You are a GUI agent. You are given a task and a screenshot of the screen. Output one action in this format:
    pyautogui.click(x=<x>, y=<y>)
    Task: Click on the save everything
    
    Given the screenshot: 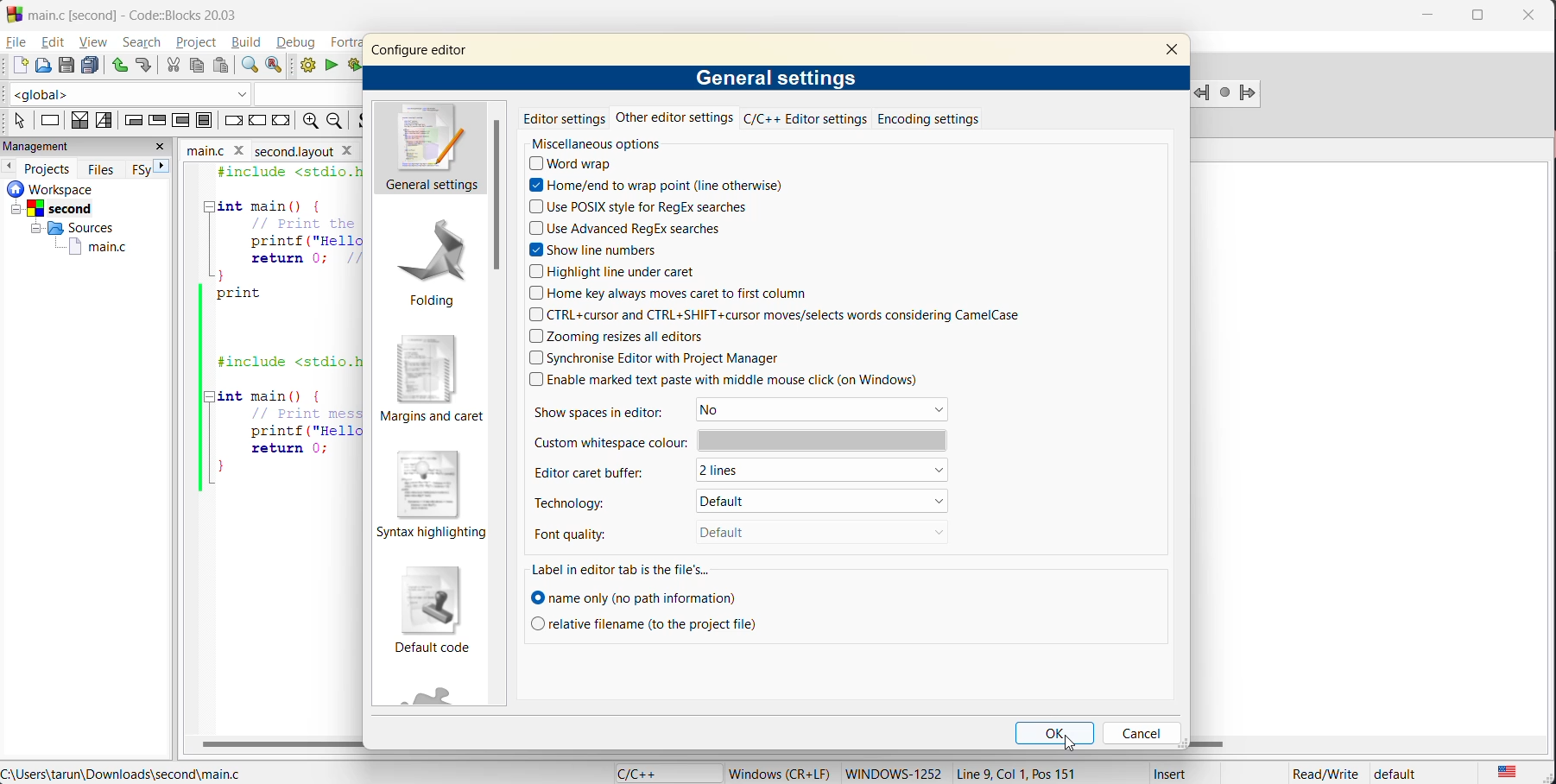 What is the action you would take?
    pyautogui.click(x=92, y=66)
    